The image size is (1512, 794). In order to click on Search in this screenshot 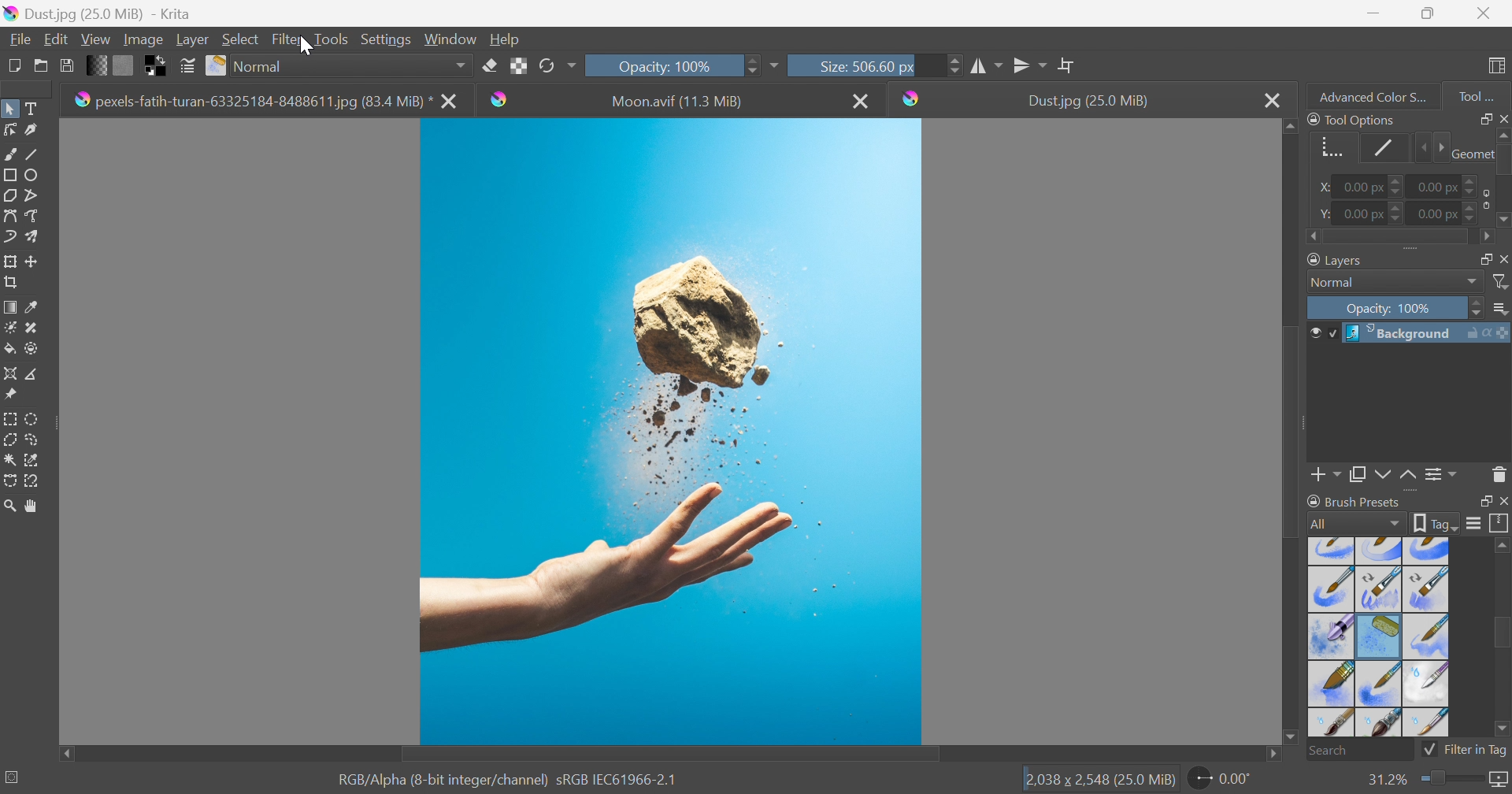, I will do `click(1360, 751)`.